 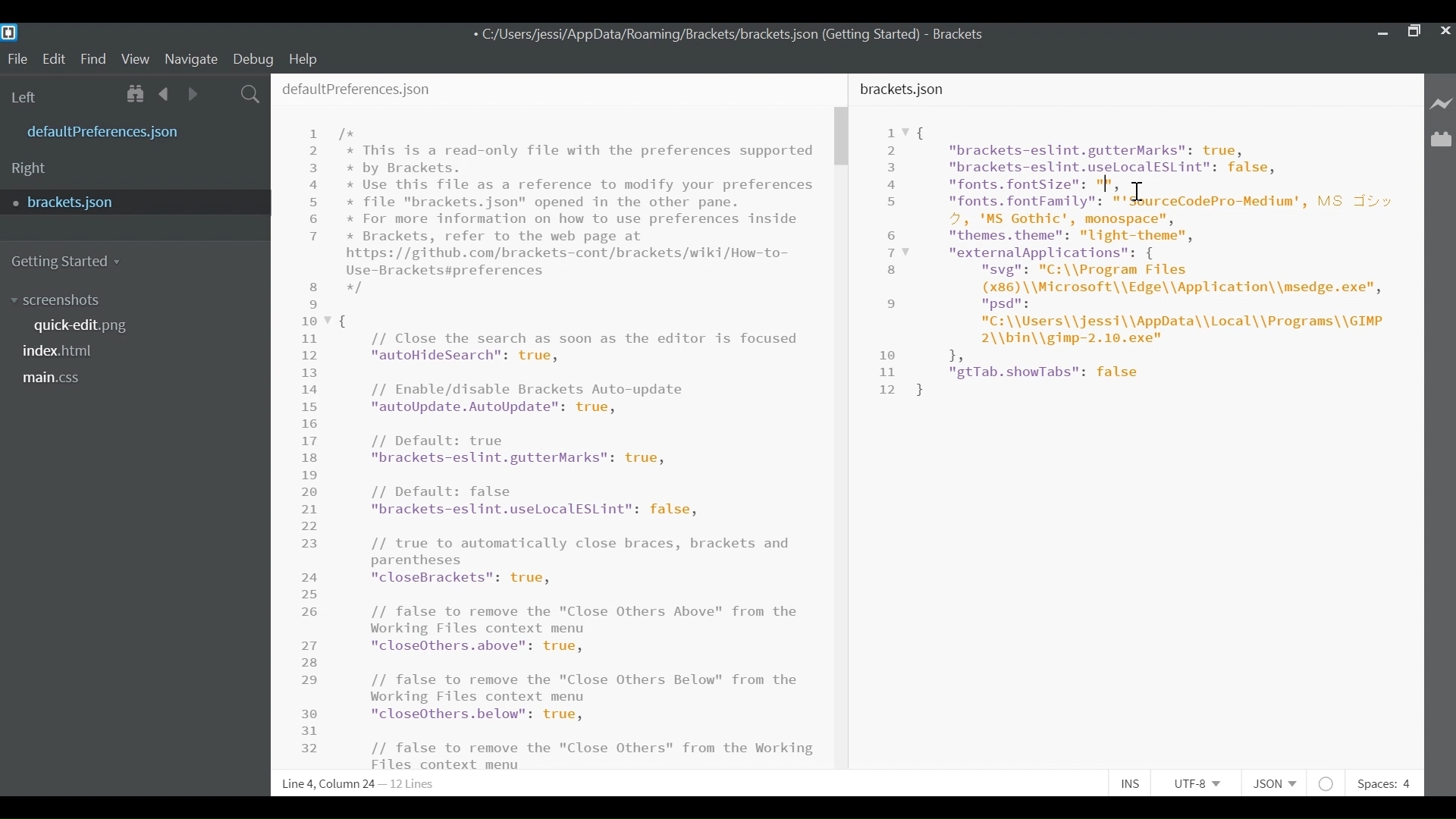 I want to click on Manage Extensions, so click(x=1441, y=140).